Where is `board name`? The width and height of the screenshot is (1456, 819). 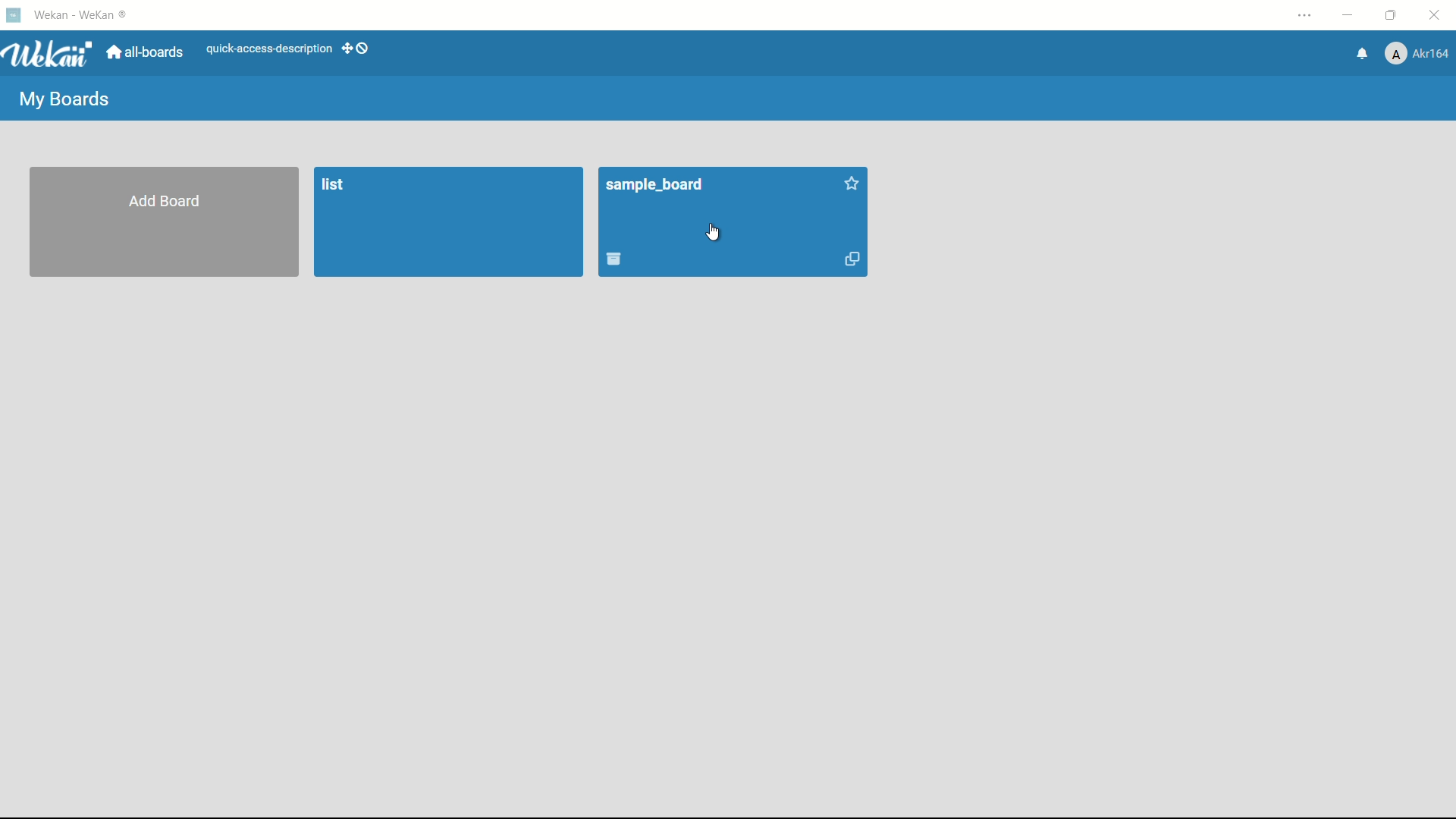 board name is located at coordinates (657, 186).